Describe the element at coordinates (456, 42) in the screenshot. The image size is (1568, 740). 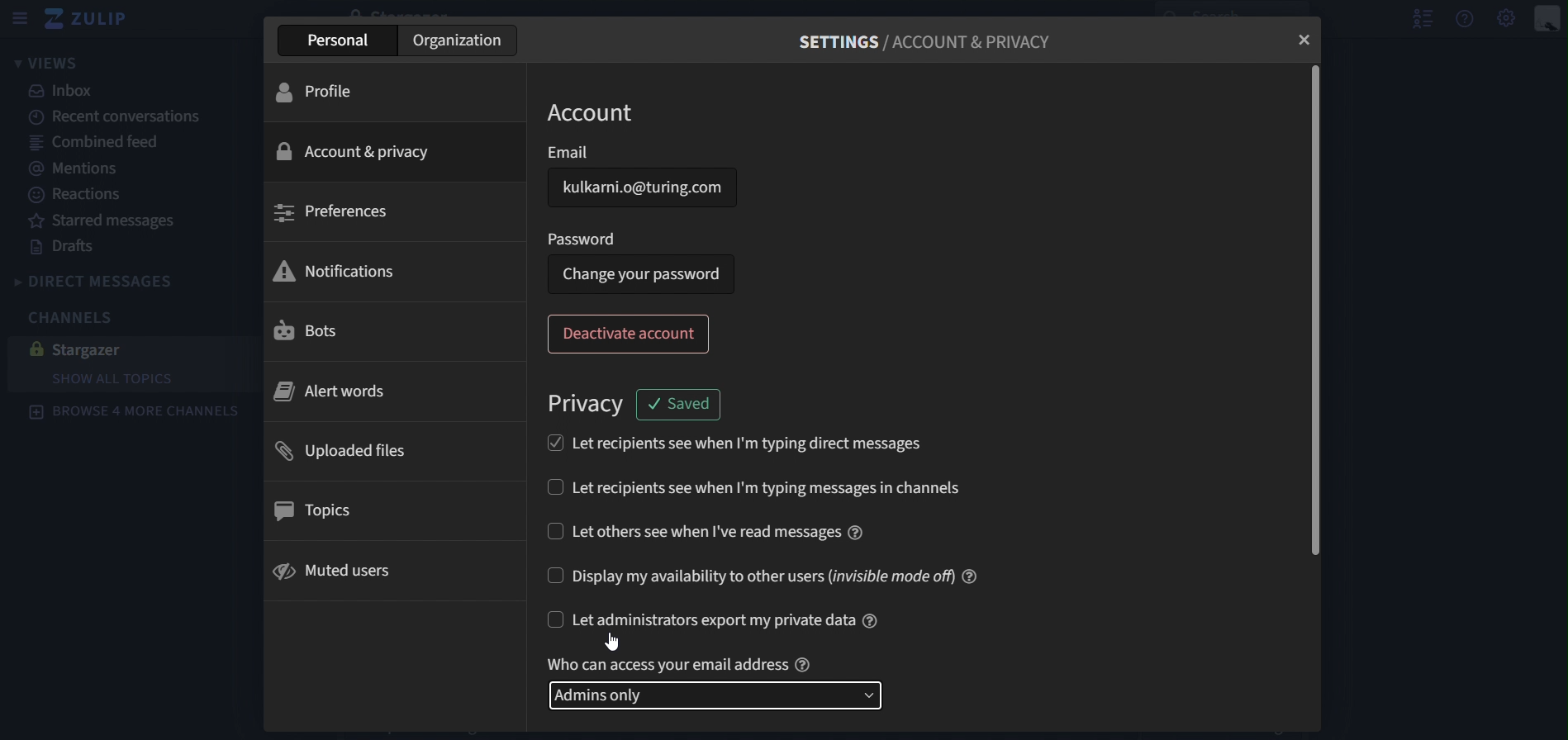
I see `organization` at that location.